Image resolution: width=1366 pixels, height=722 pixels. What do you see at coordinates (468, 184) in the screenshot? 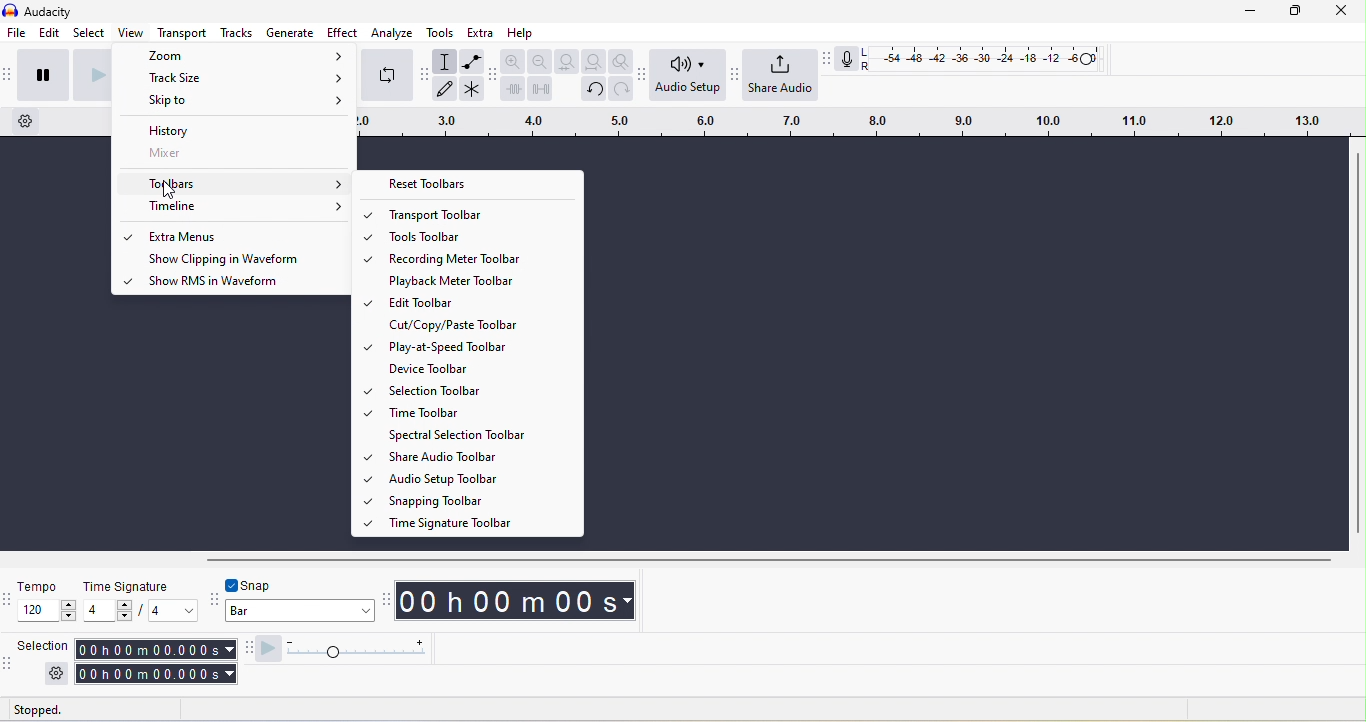
I see `Reset toolbar` at bounding box center [468, 184].